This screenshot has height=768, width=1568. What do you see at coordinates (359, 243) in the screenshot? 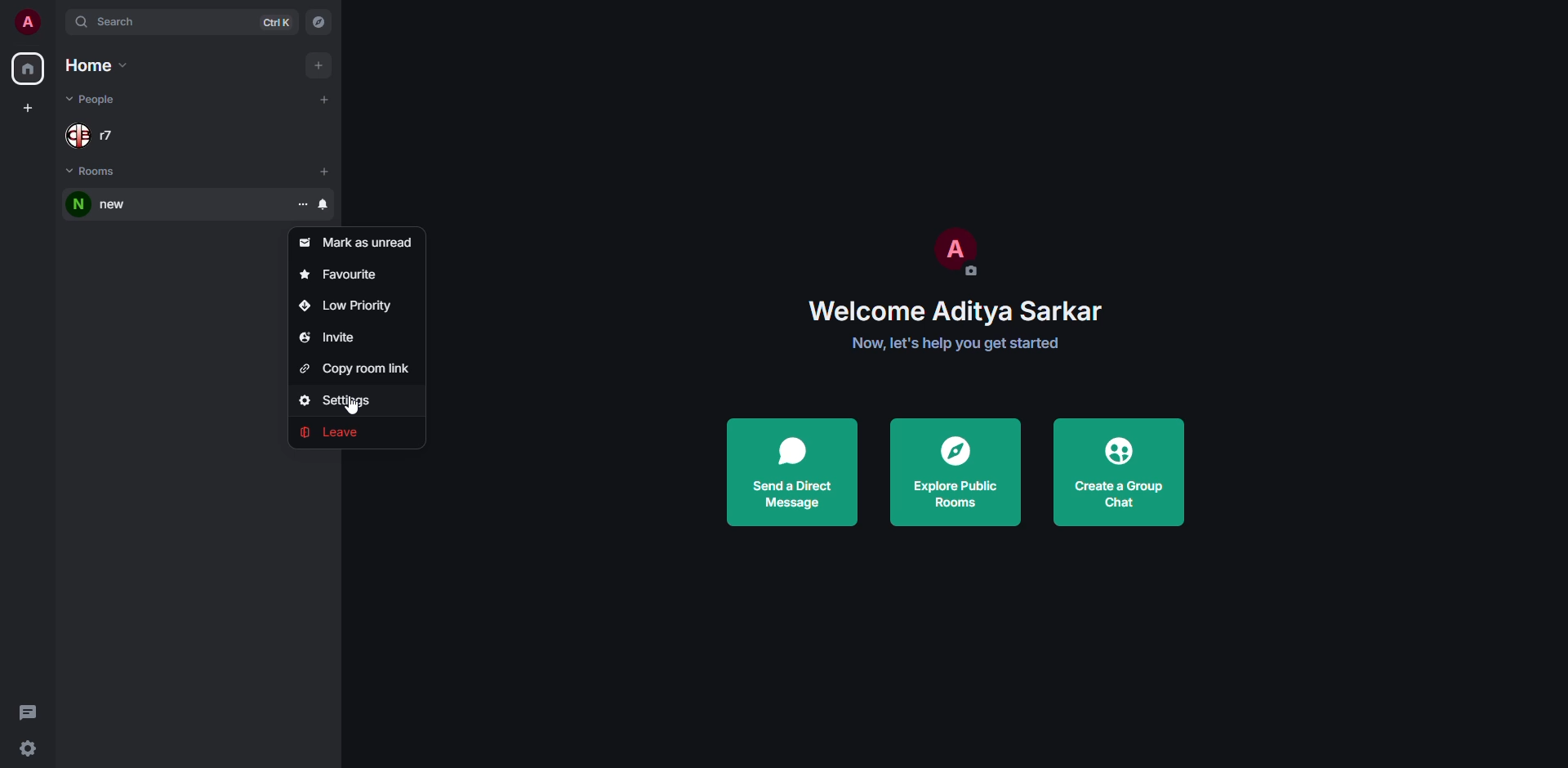
I see `mark as unread` at bounding box center [359, 243].